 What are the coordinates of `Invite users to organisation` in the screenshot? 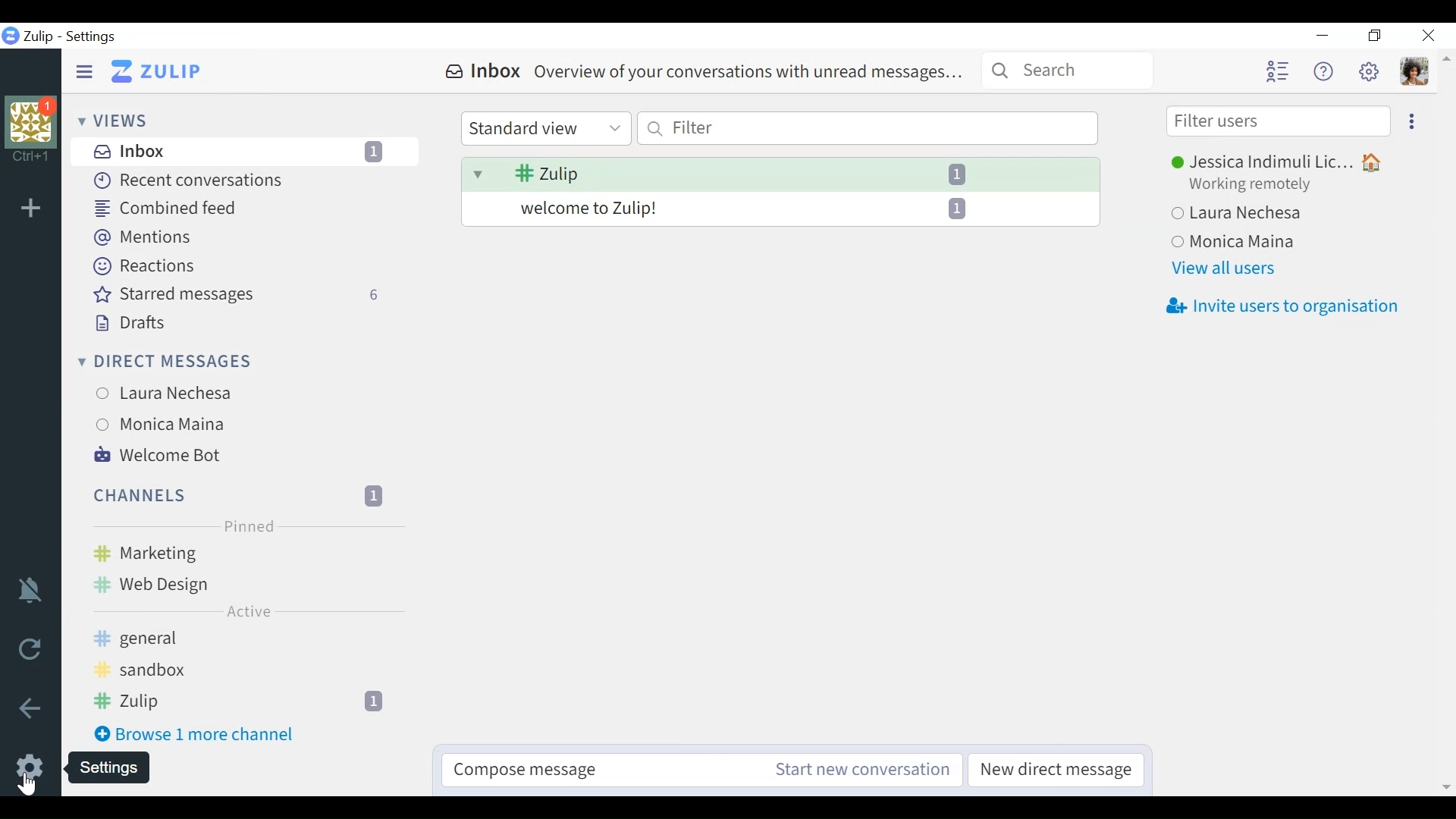 It's located at (1284, 308).